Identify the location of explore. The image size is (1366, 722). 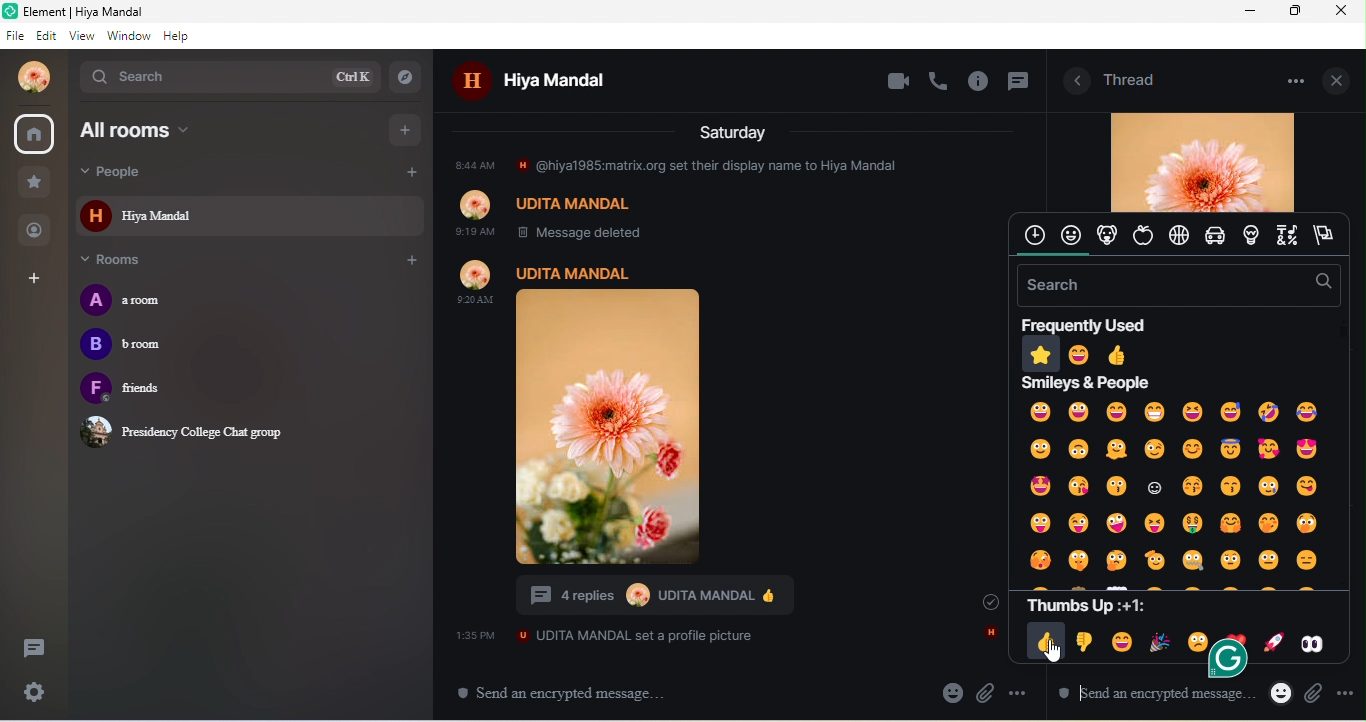
(409, 76).